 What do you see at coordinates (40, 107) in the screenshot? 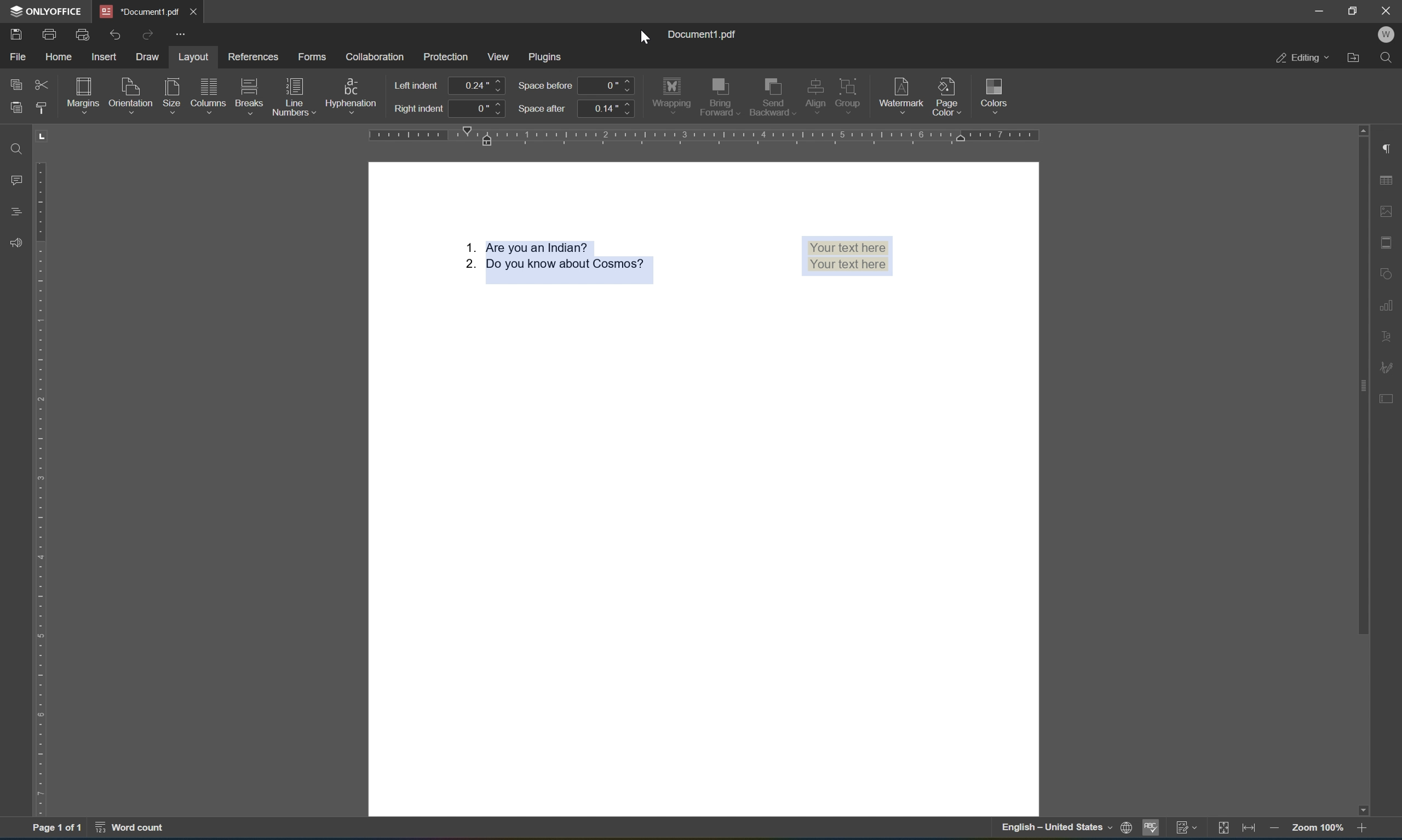
I see `copy style` at bounding box center [40, 107].